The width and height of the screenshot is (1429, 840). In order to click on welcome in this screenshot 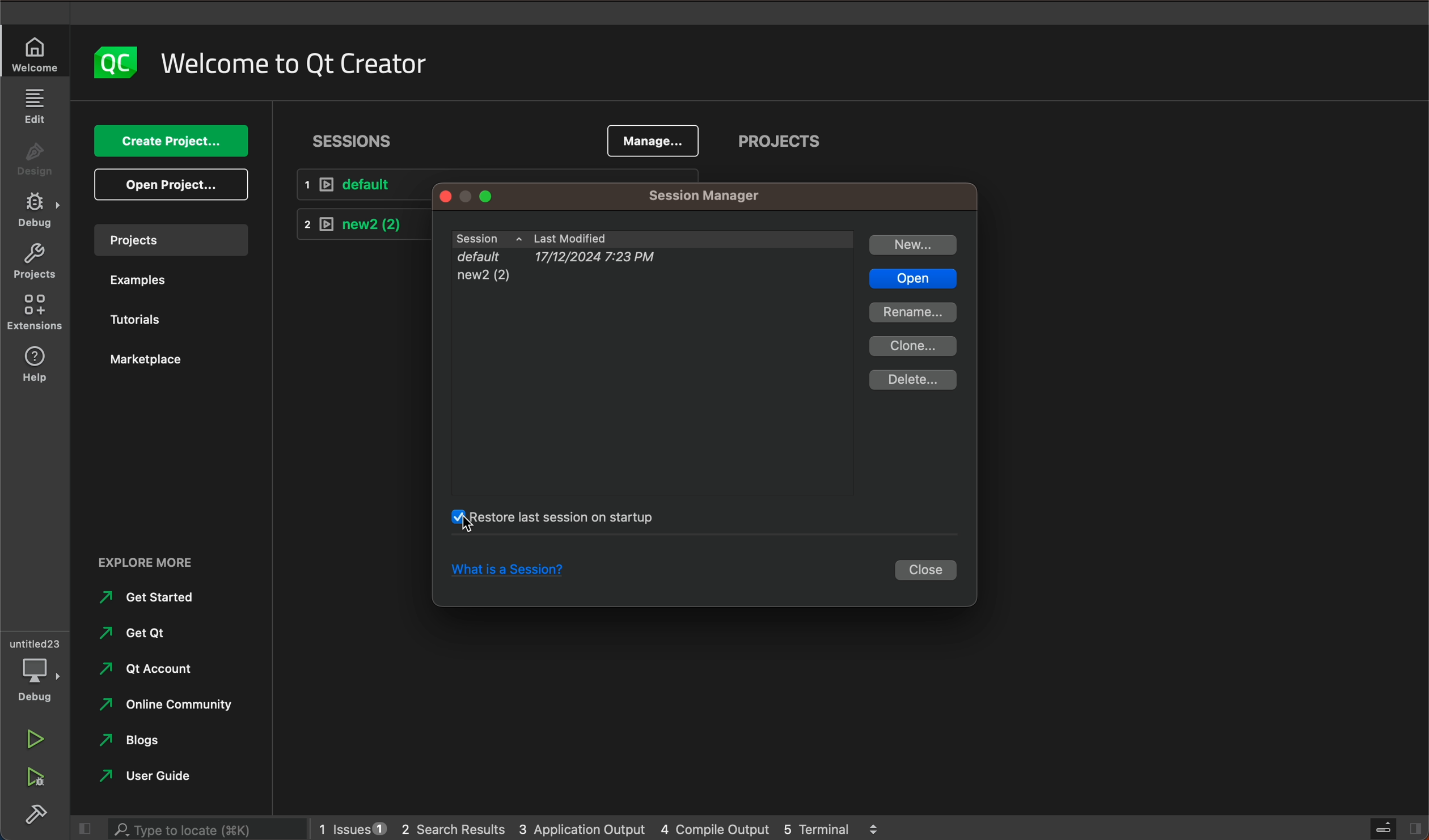, I will do `click(36, 53)`.